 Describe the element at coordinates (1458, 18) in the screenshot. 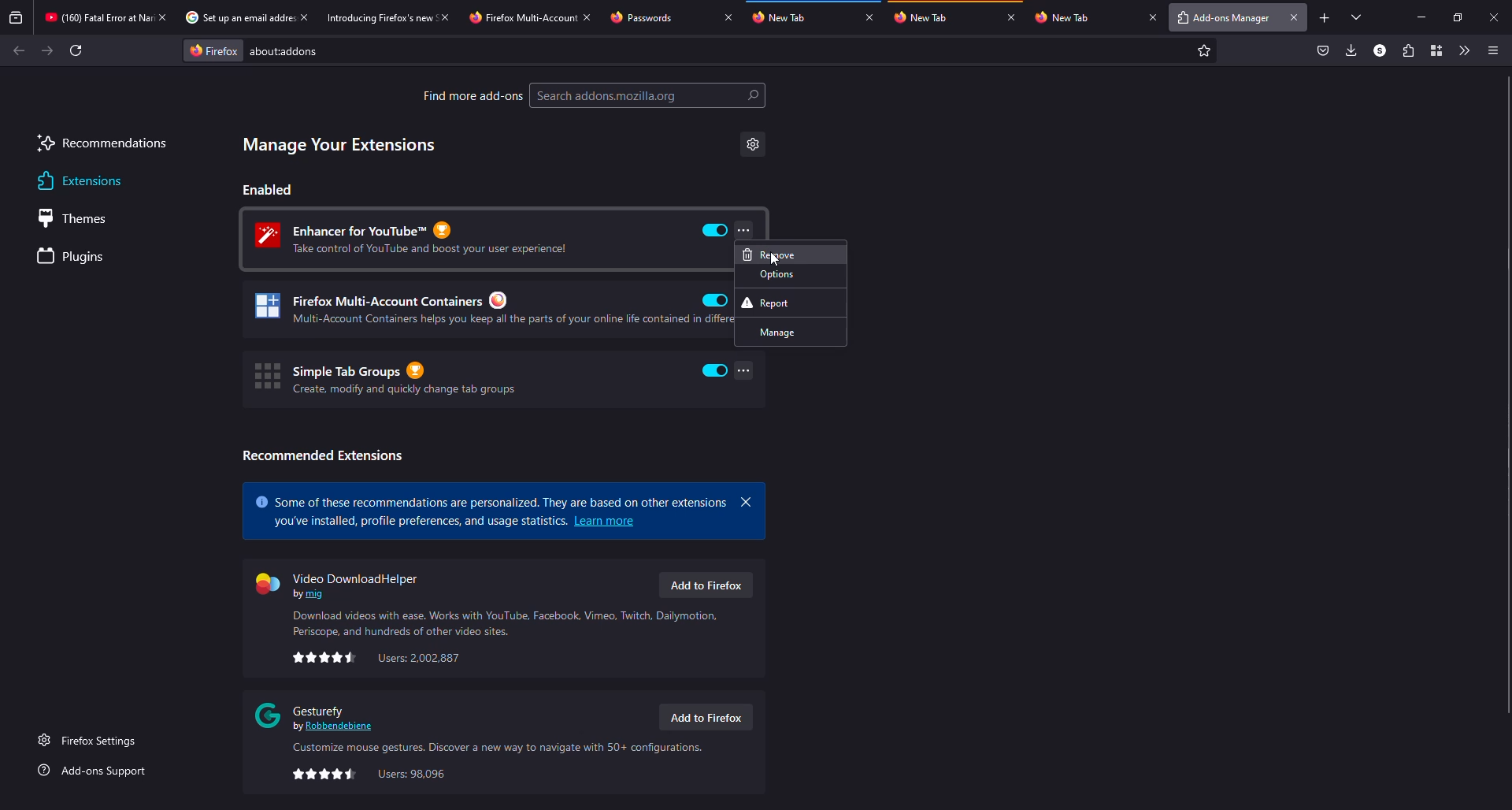

I see `maximize` at that location.